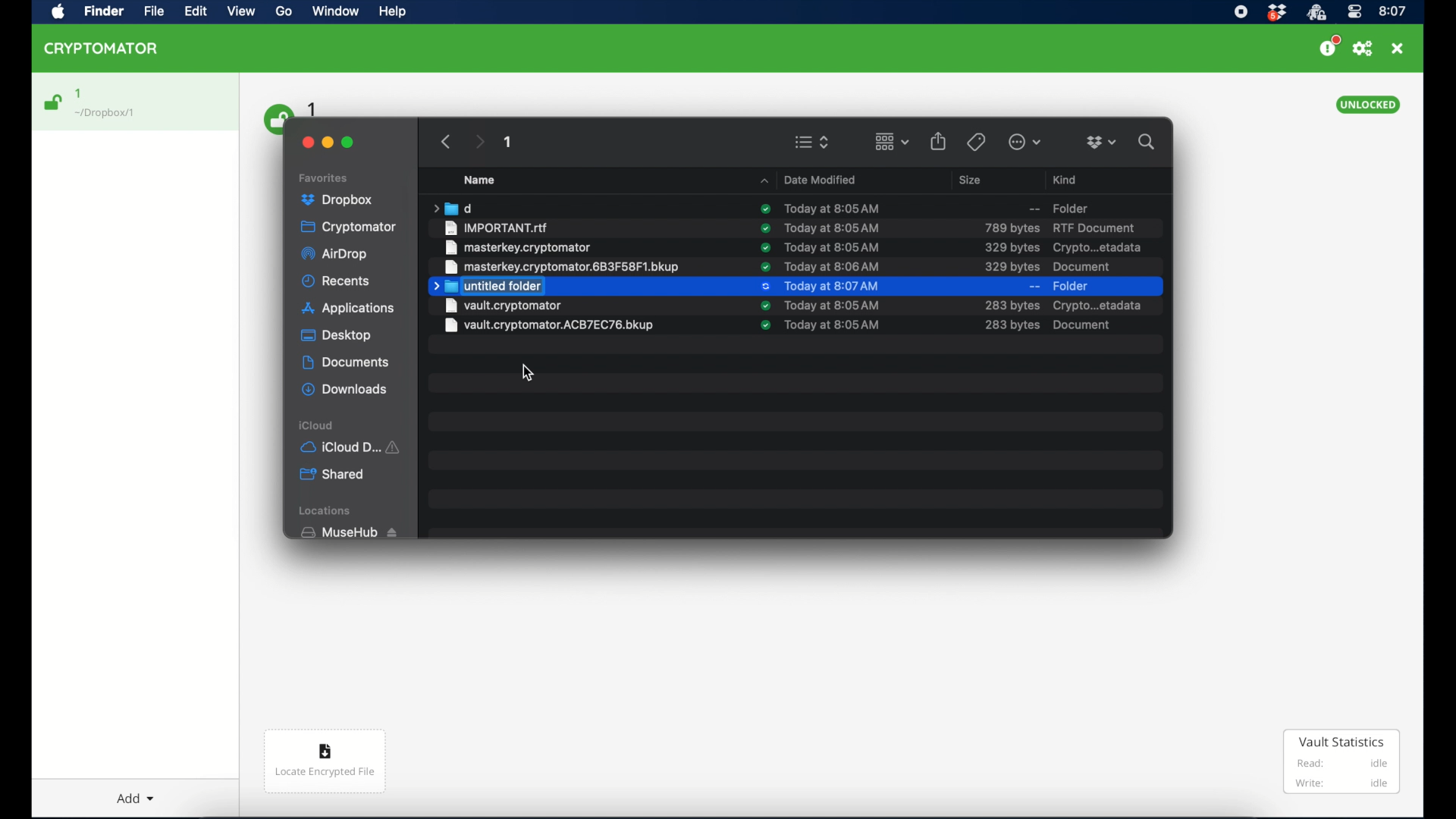 The width and height of the screenshot is (1456, 819). What do you see at coordinates (1067, 177) in the screenshot?
I see `Kind` at bounding box center [1067, 177].